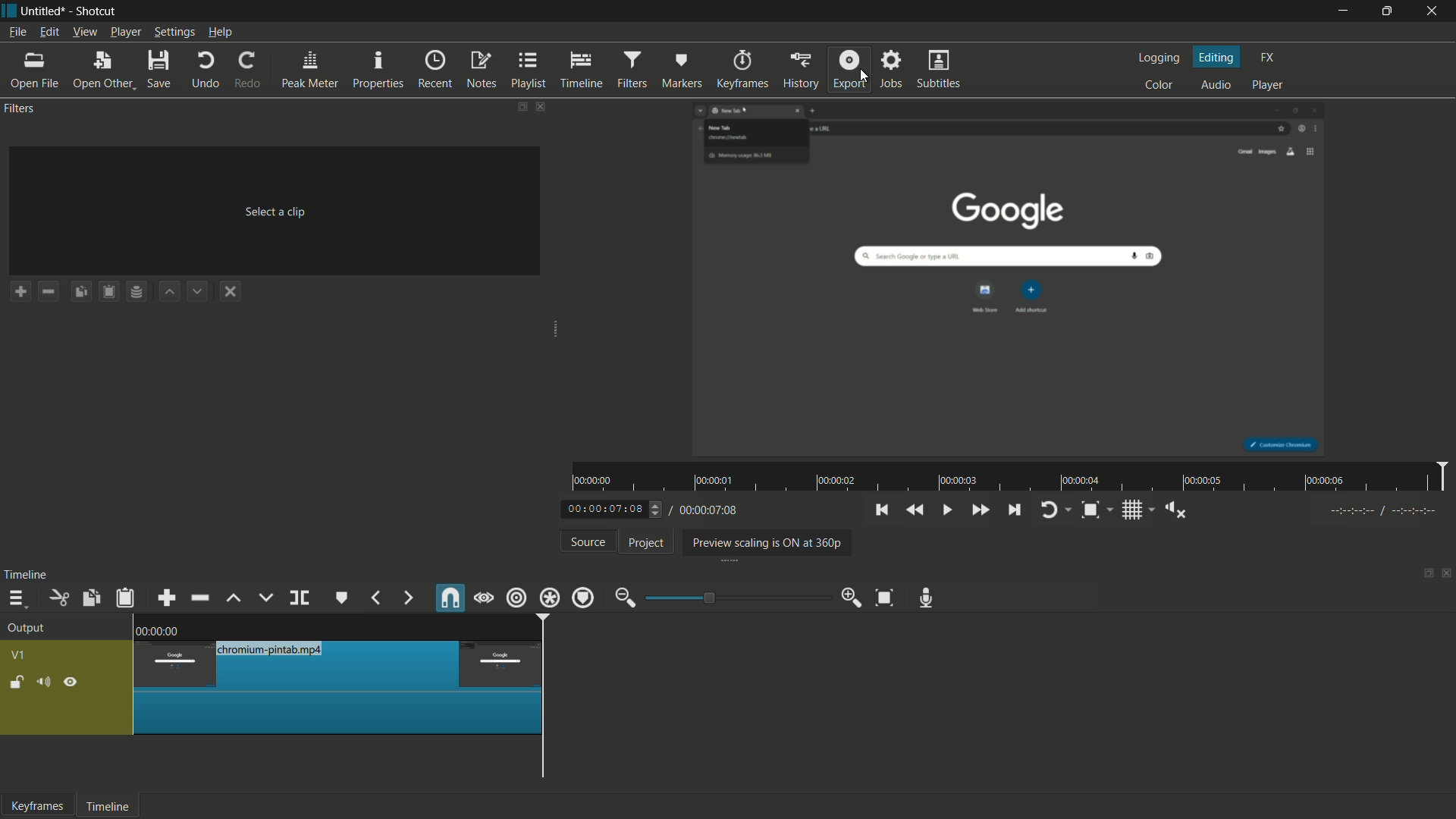  Describe the element at coordinates (136, 291) in the screenshot. I see `save filter set` at that location.